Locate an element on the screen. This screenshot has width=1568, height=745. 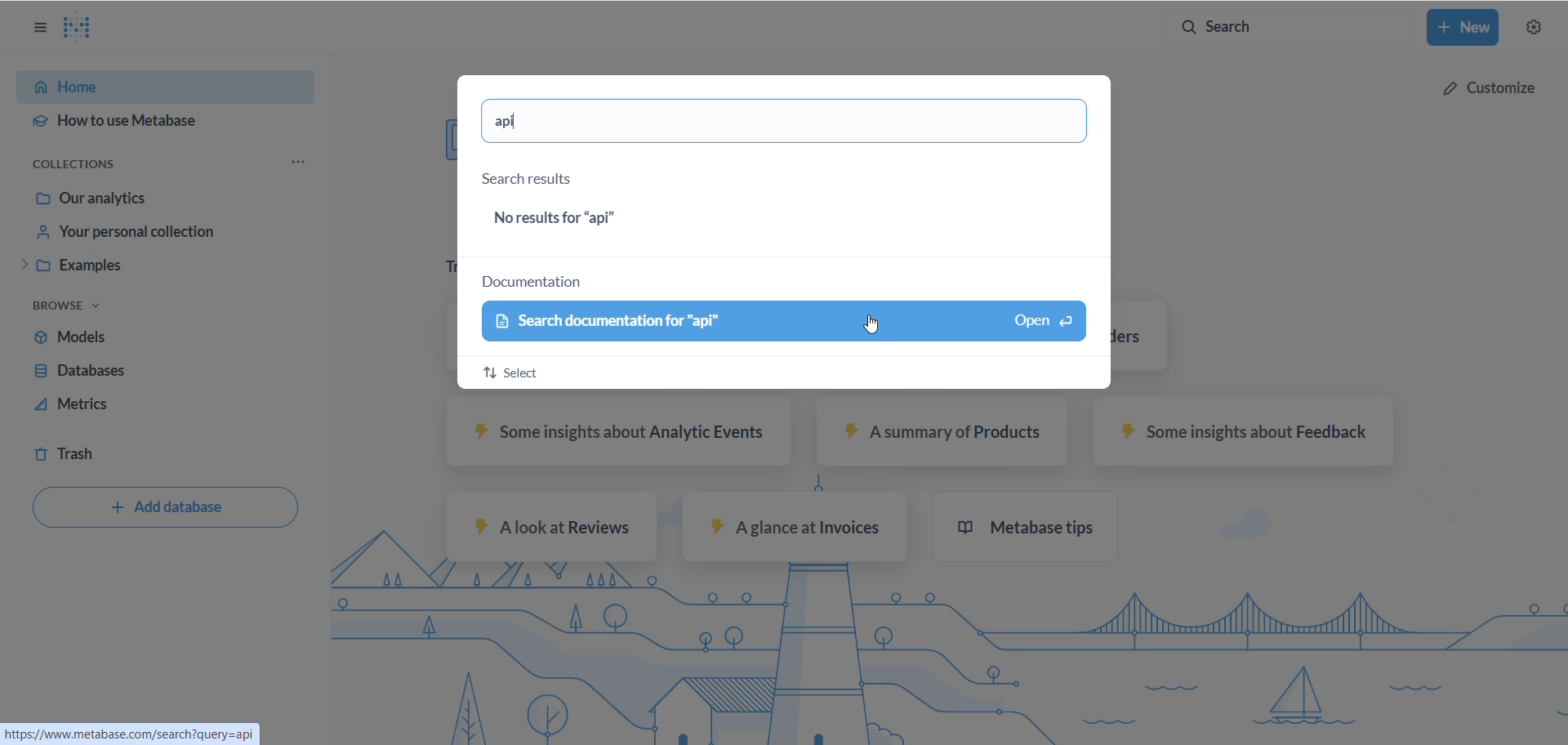
trash is located at coordinates (82, 449).